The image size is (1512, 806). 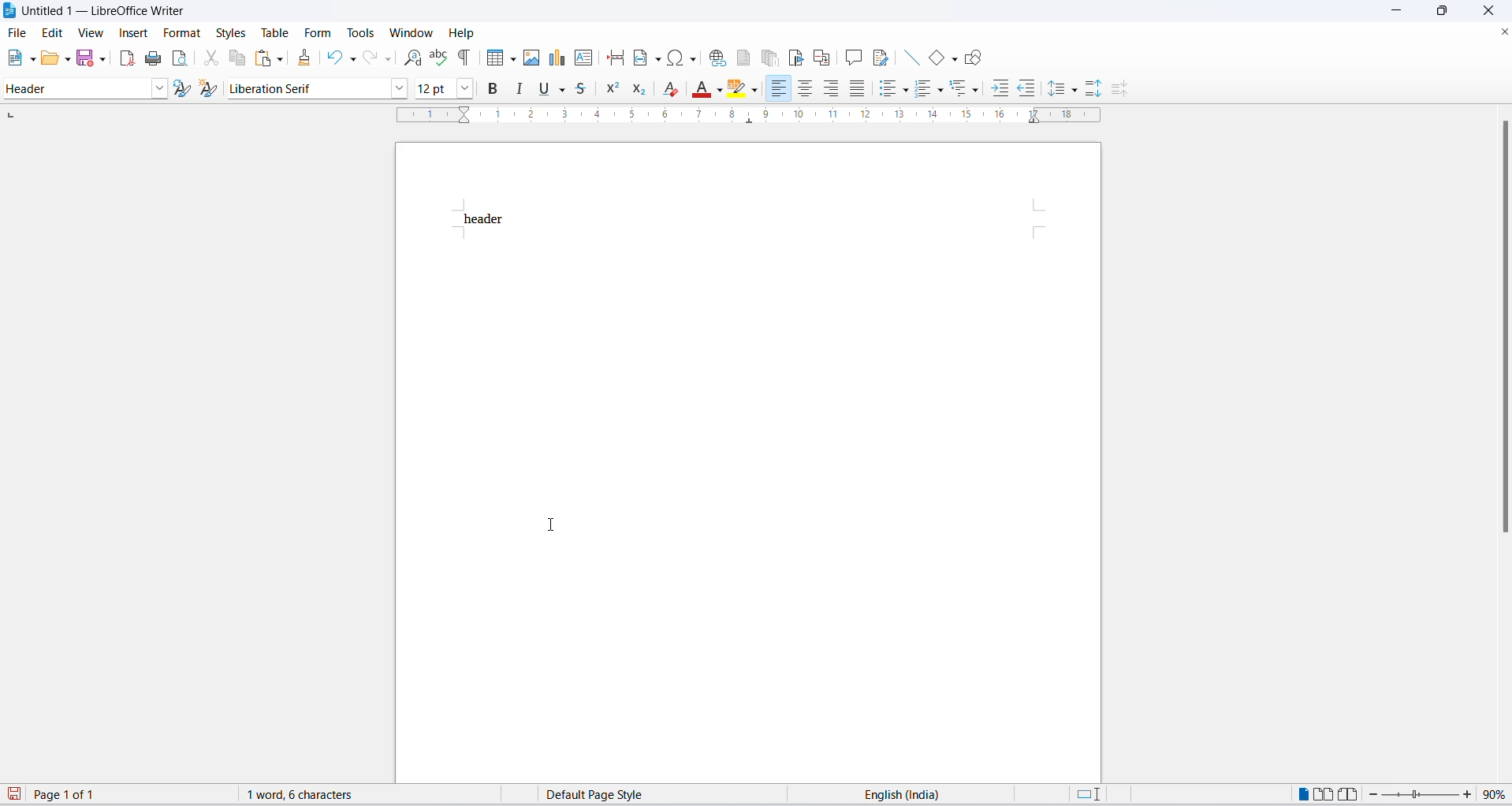 What do you see at coordinates (963, 91) in the screenshot?
I see `outline format` at bounding box center [963, 91].